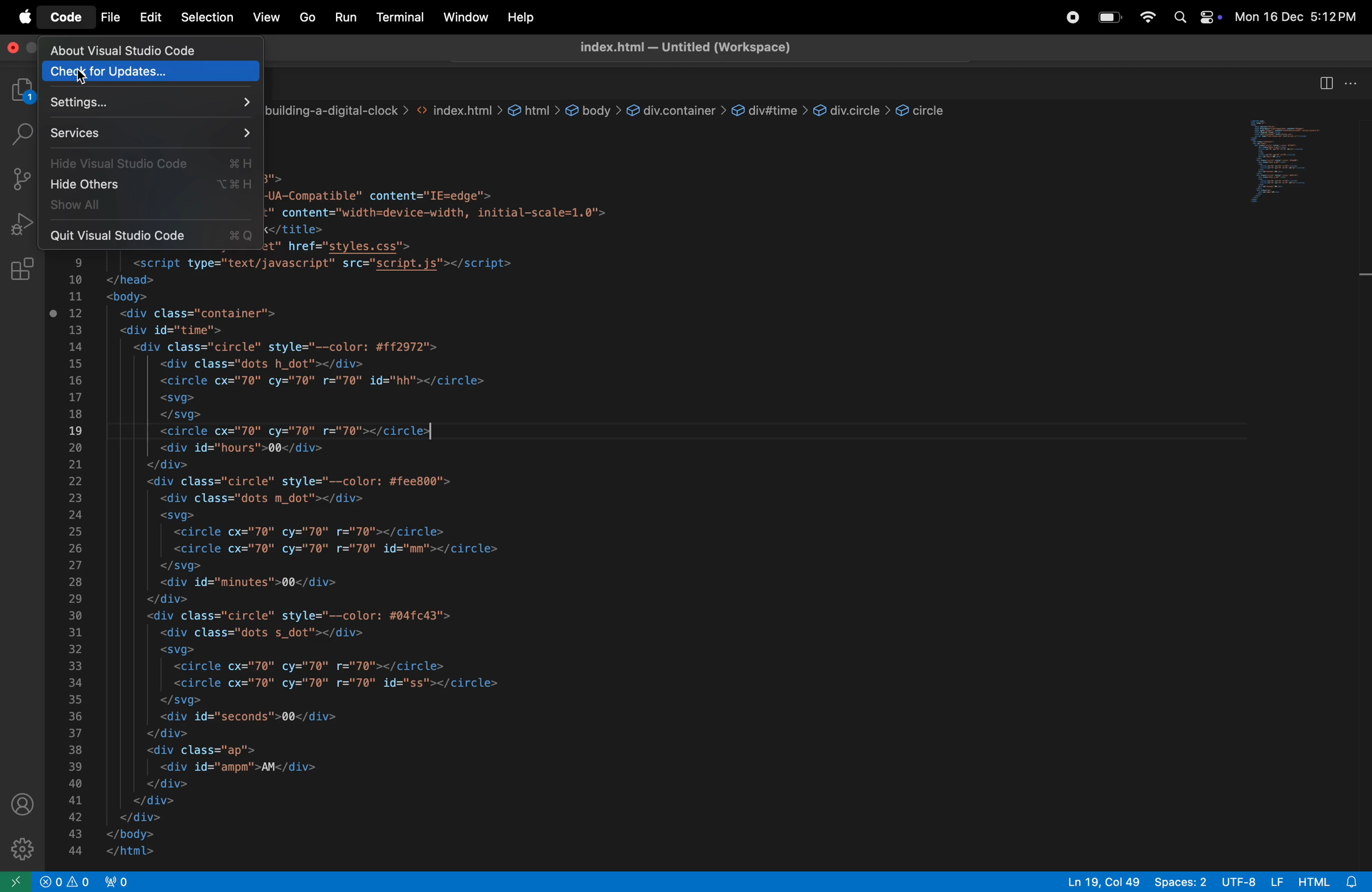 This screenshot has width=1372, height=892. Describe the element at coordinates (209, 18) in the screenshot. I see `selection` at that location.